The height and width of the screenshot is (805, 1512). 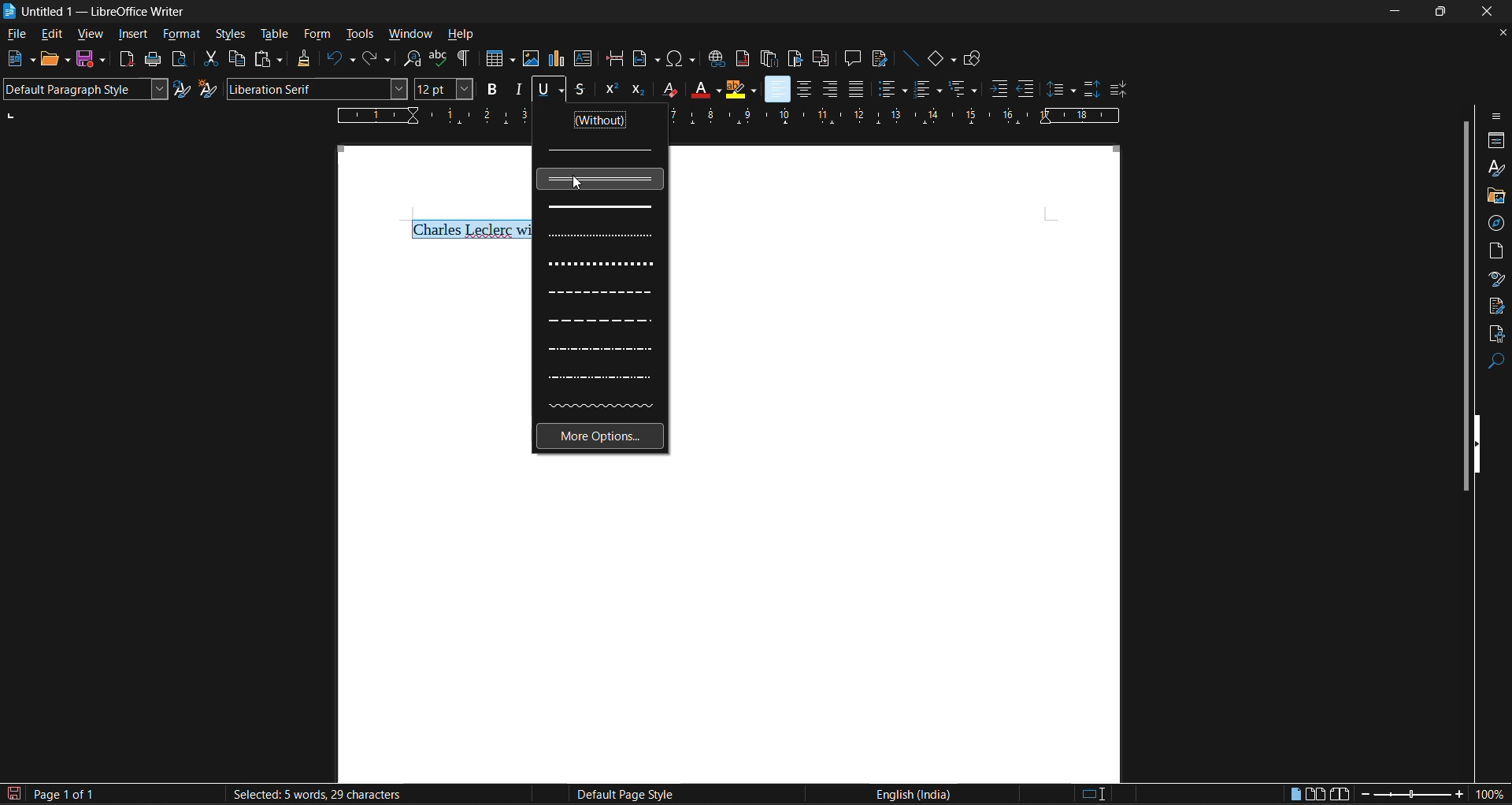 I want to click on sidebar settings, so click(x=1497, y=116).